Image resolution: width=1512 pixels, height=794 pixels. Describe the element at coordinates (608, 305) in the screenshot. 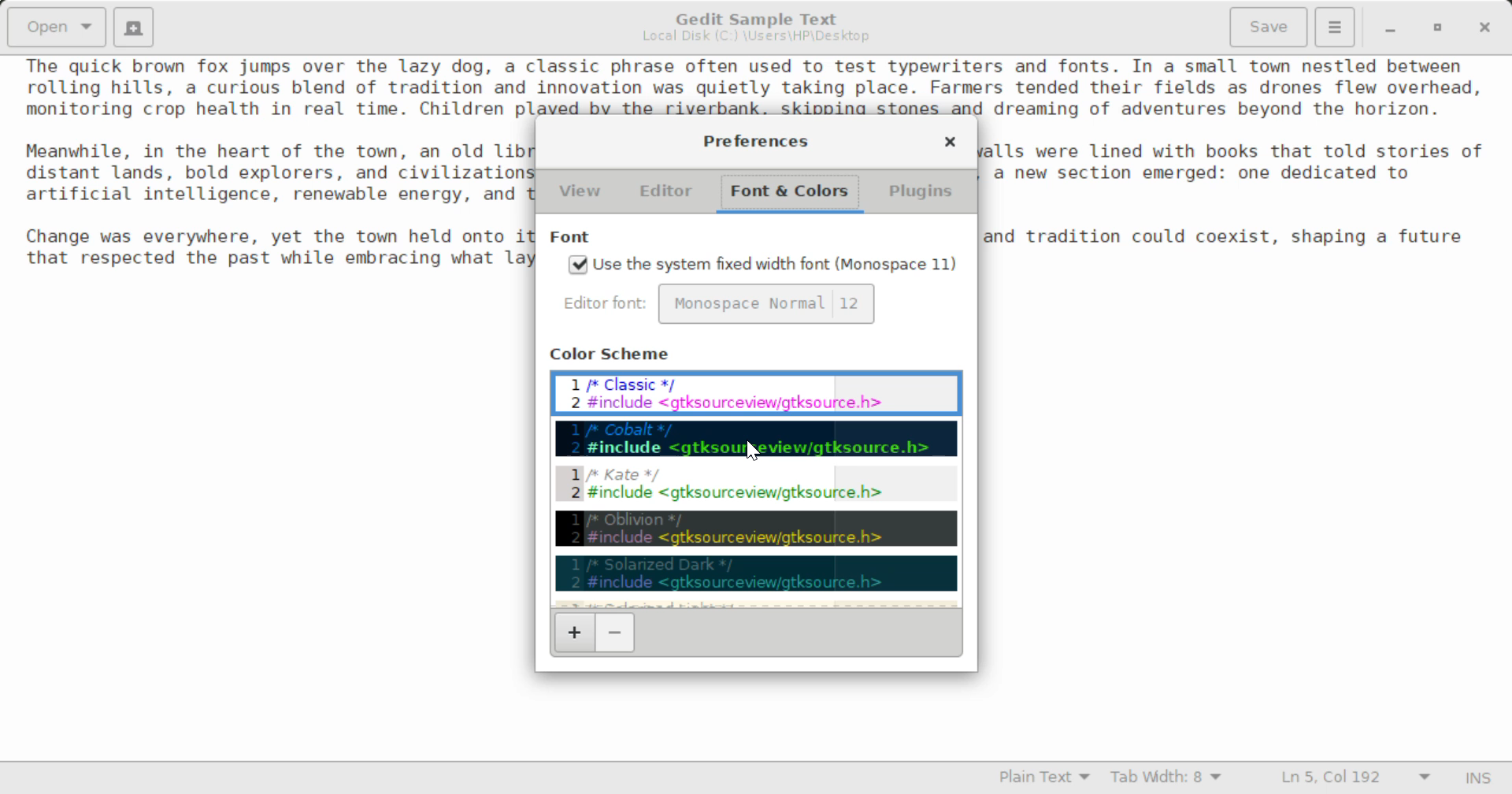

I see `Selected Editor Font` at that location.